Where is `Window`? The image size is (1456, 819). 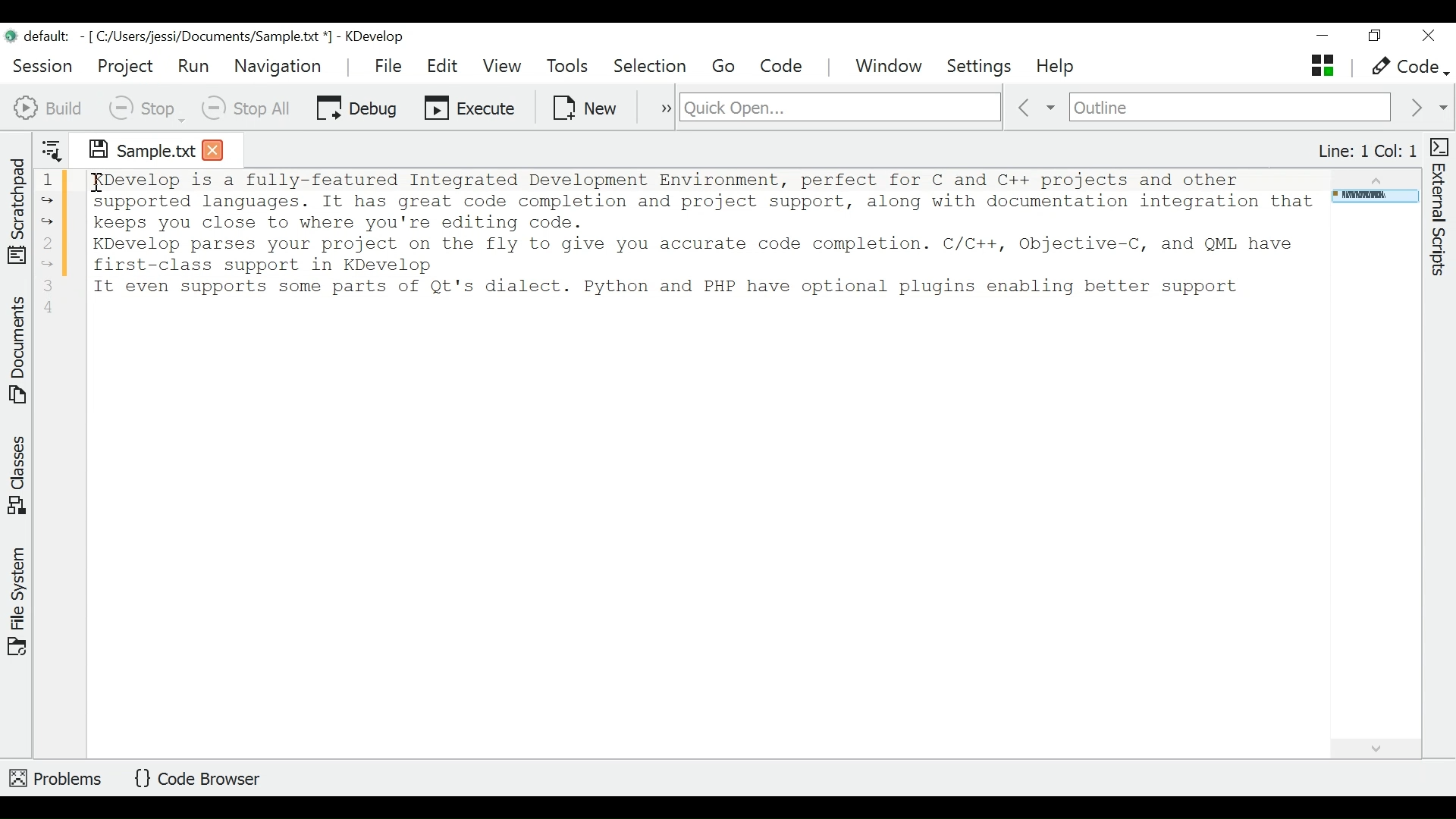 Window is located at coordinates (891, 67).